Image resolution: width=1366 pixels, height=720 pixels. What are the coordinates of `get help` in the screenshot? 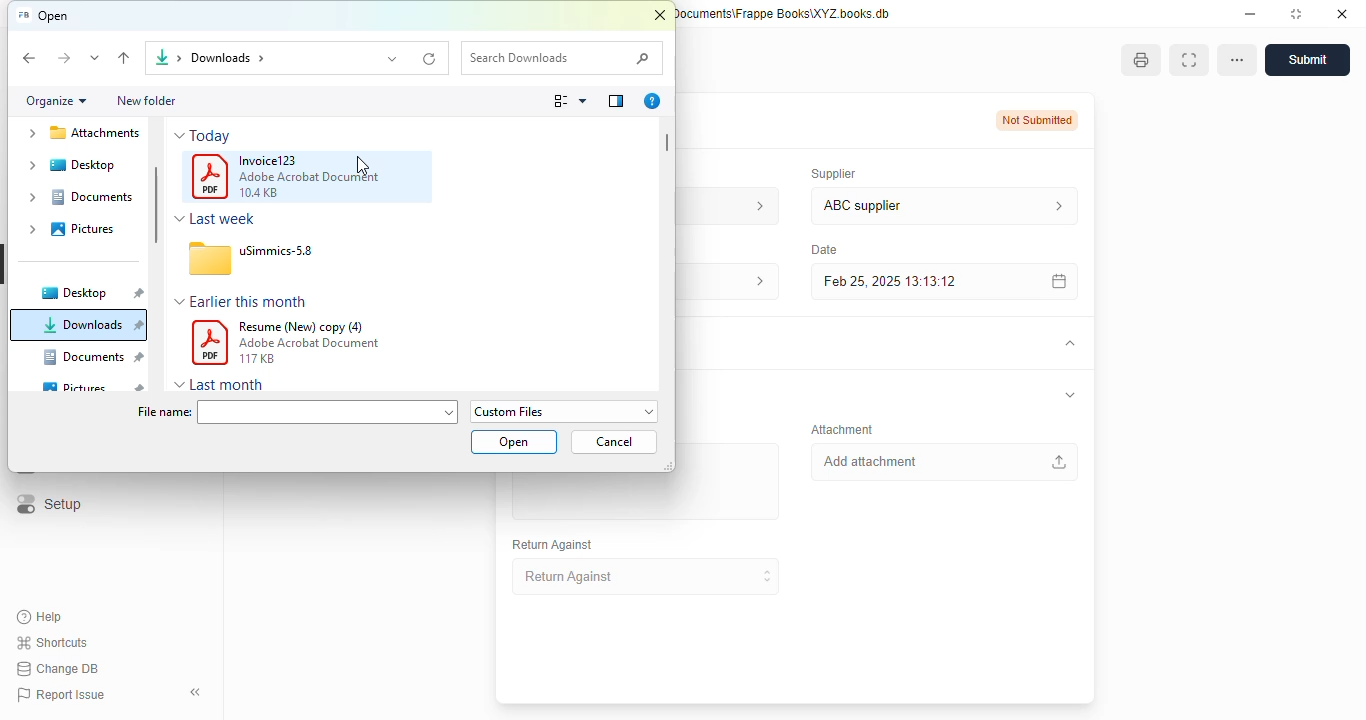 It's located at (652, 101).